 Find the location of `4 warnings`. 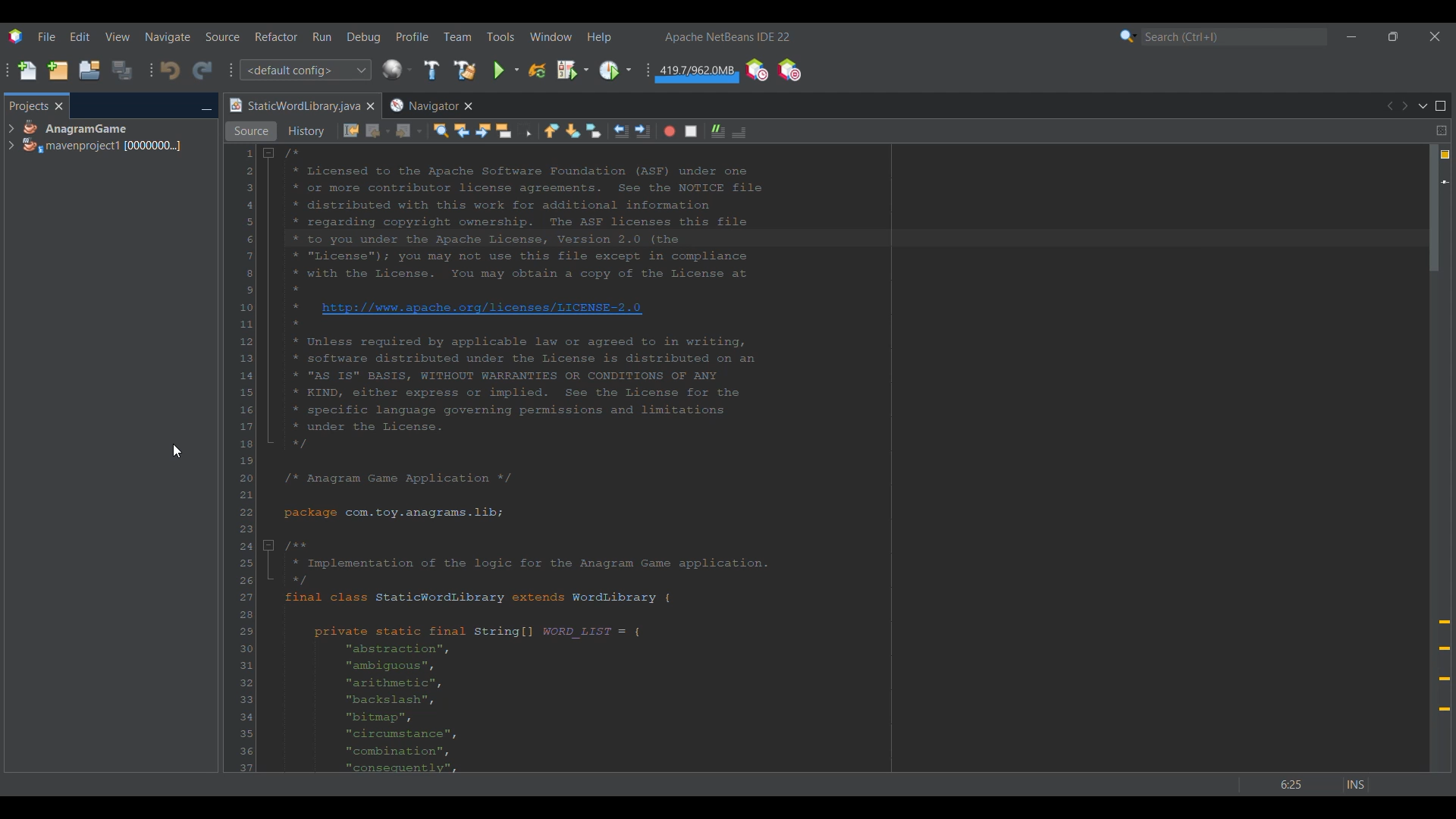

4 warnings is located at coordinates (1445, 155).